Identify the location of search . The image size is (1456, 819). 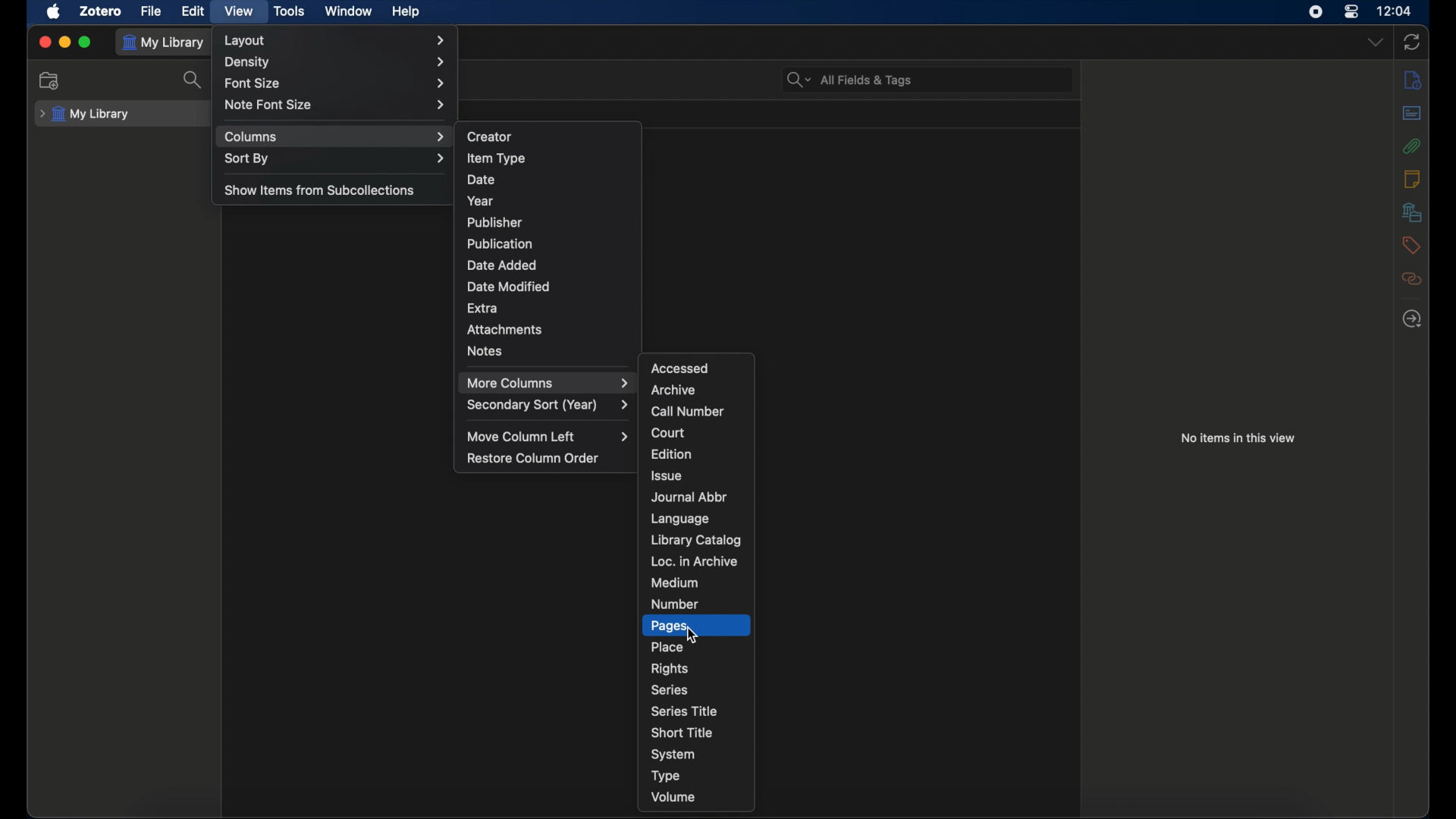
(195, 80).